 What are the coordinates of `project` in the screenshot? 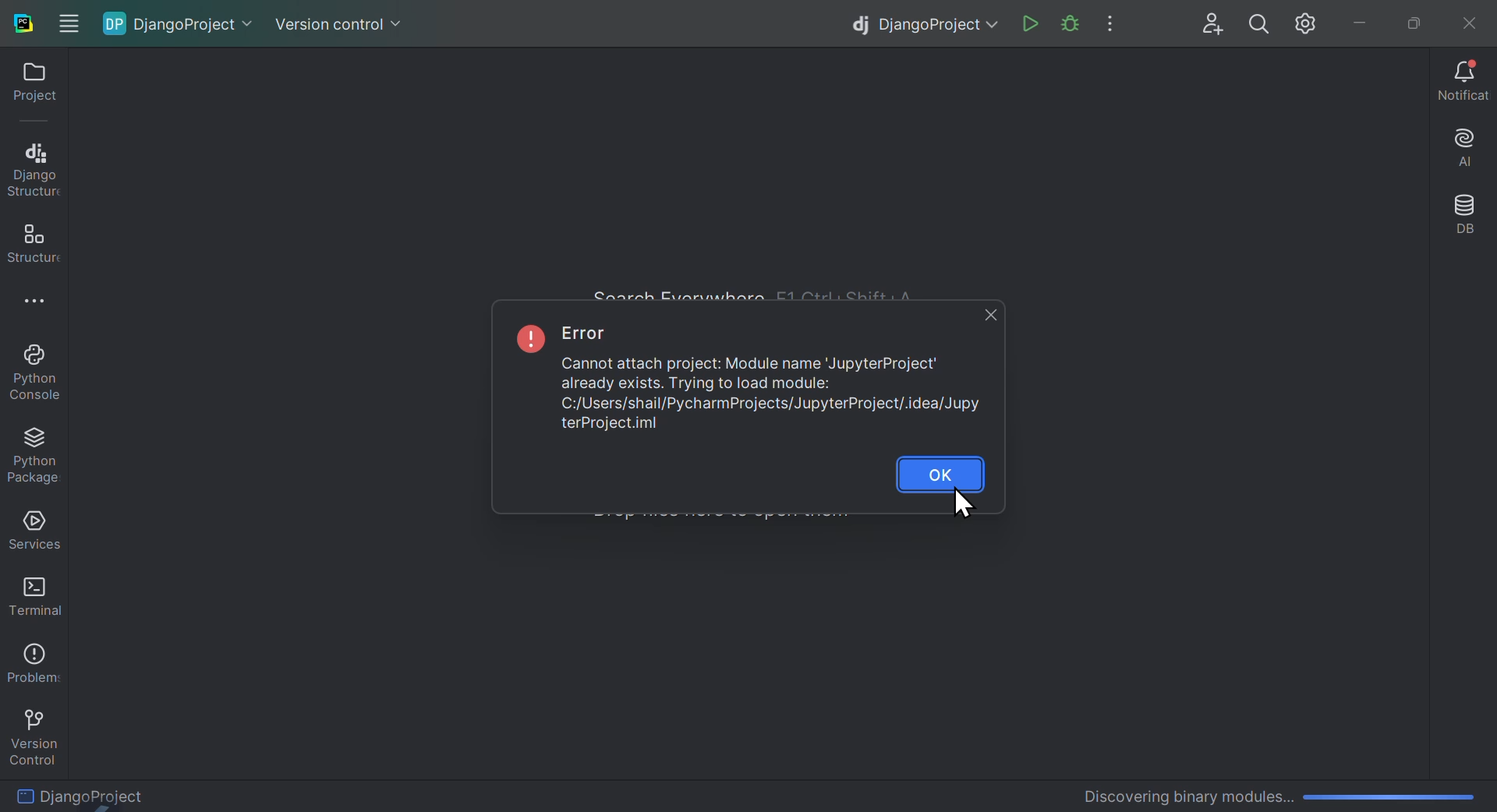 It's located at (29, 87).